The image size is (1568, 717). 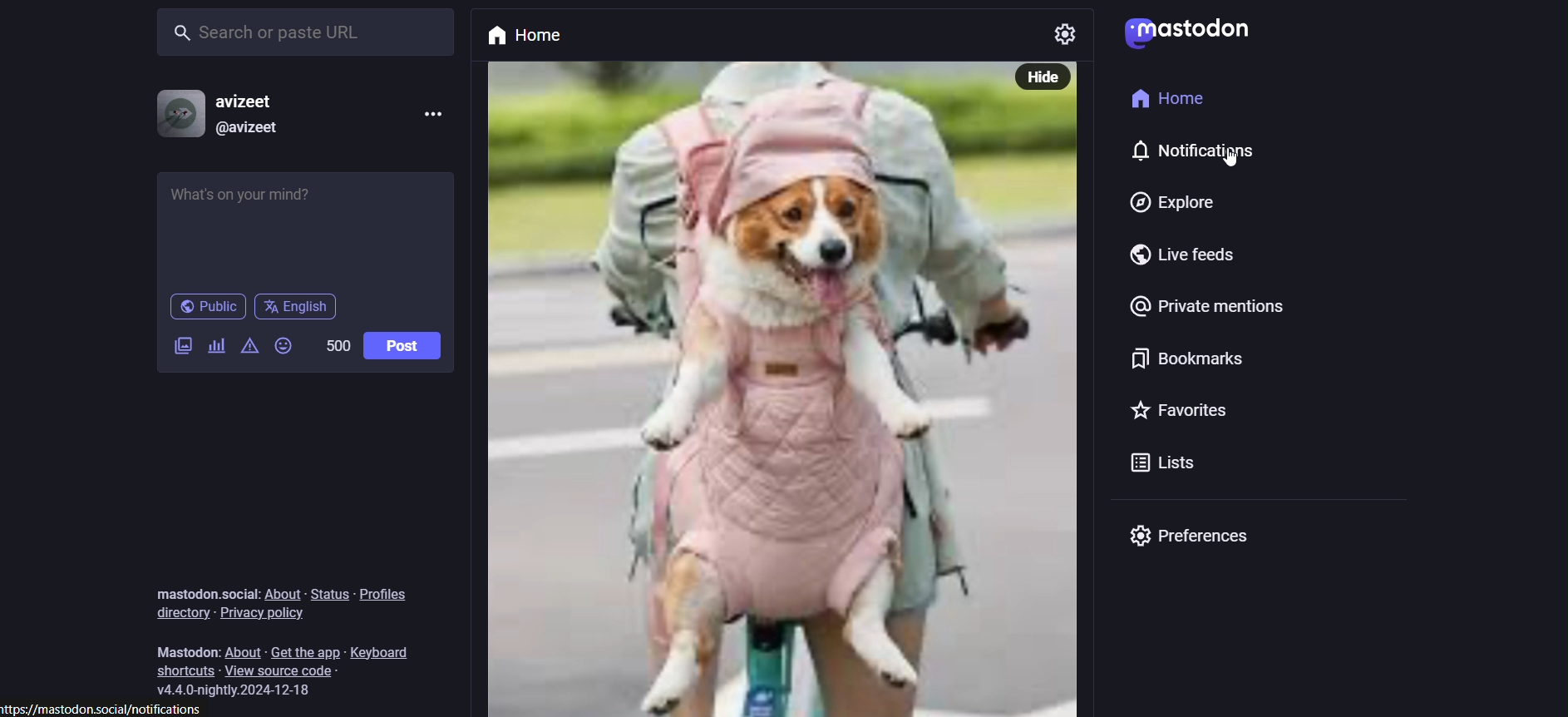 I want to click on bookmarks, so click(x=1183, y=365).